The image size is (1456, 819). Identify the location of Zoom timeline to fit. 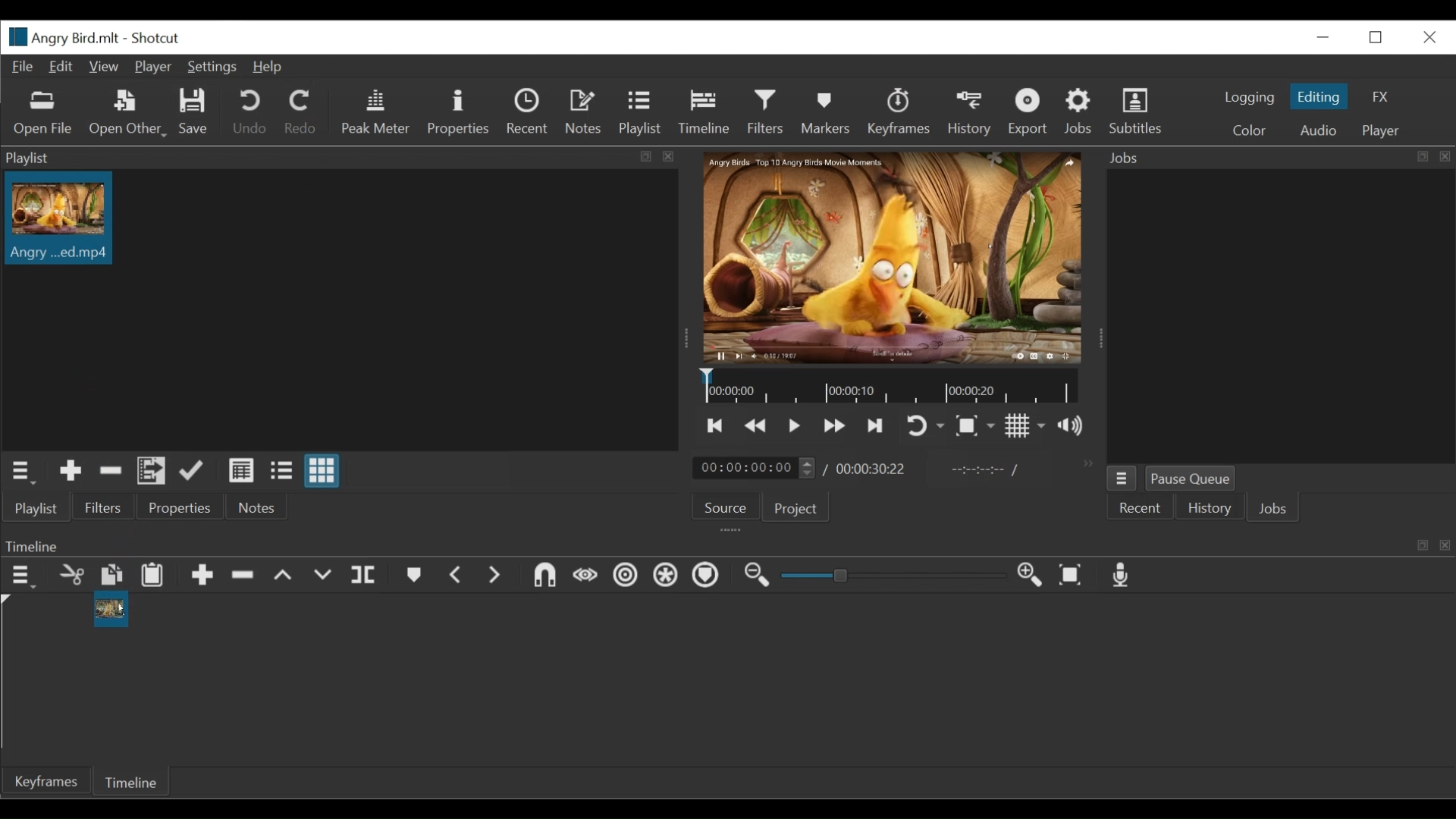
(1072, 576).